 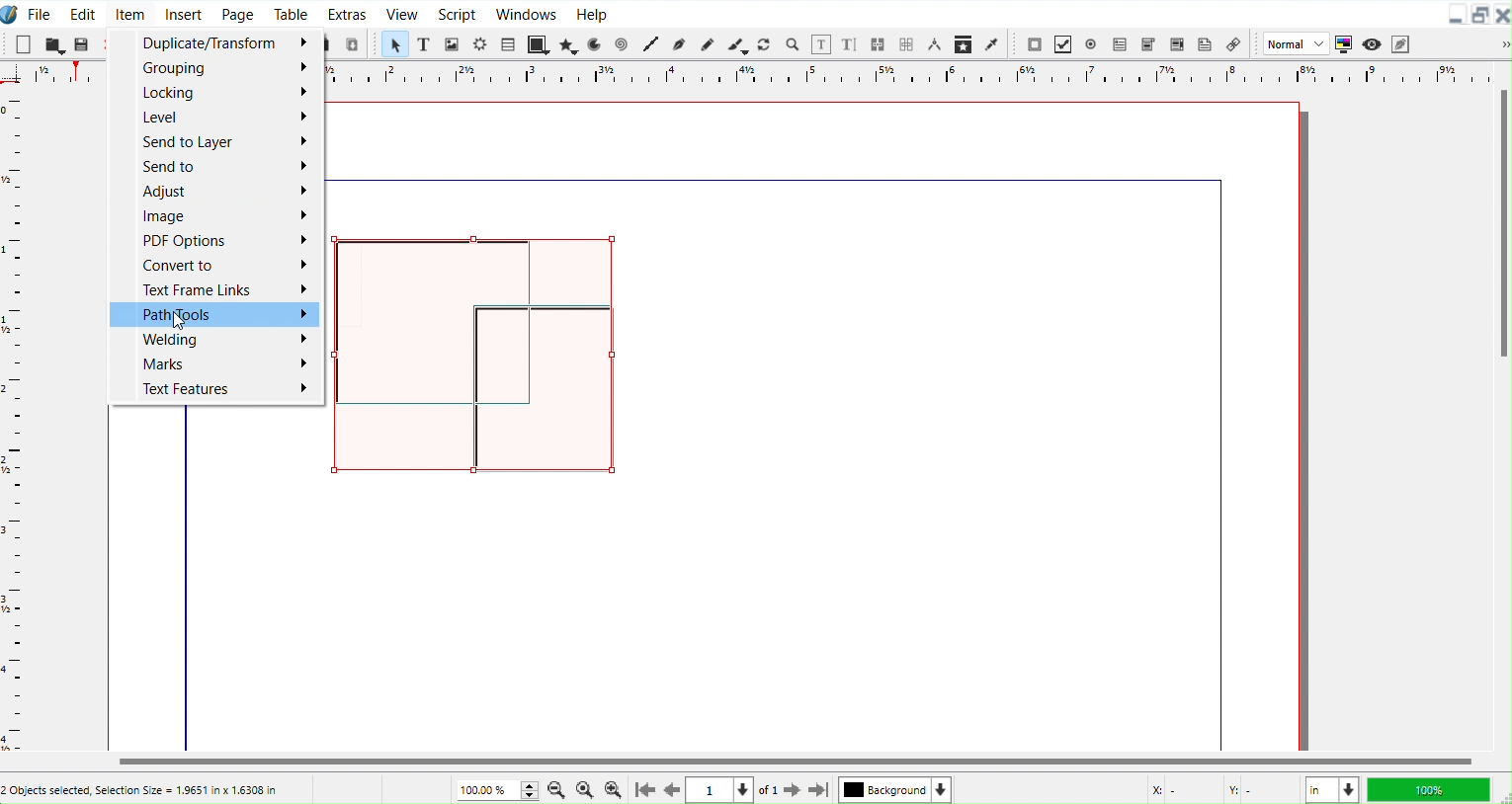 I want to click on Close, so click(x=1502, y=15).